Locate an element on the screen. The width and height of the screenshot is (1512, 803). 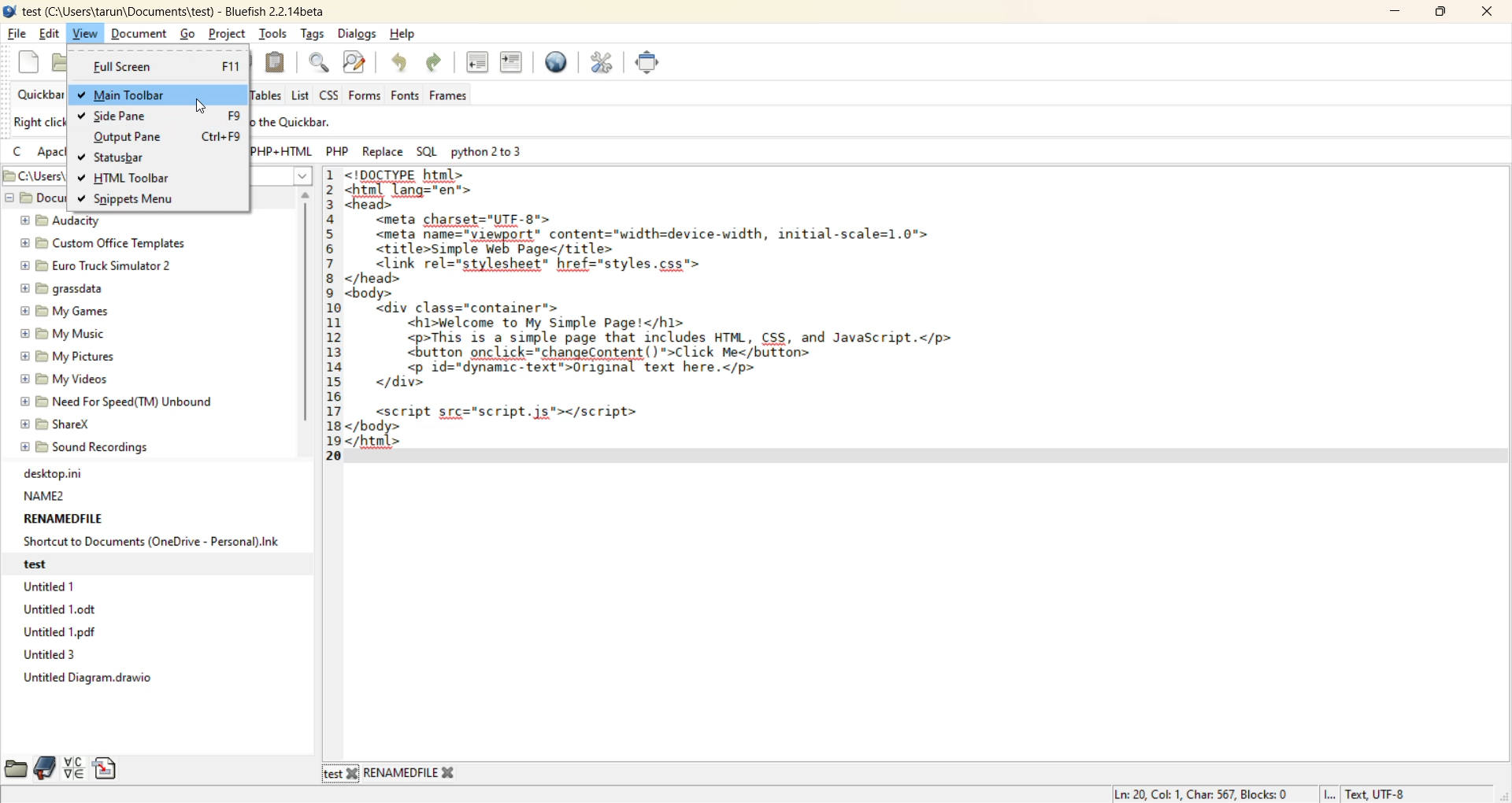
dialogs is located at coordinates (357, 33).